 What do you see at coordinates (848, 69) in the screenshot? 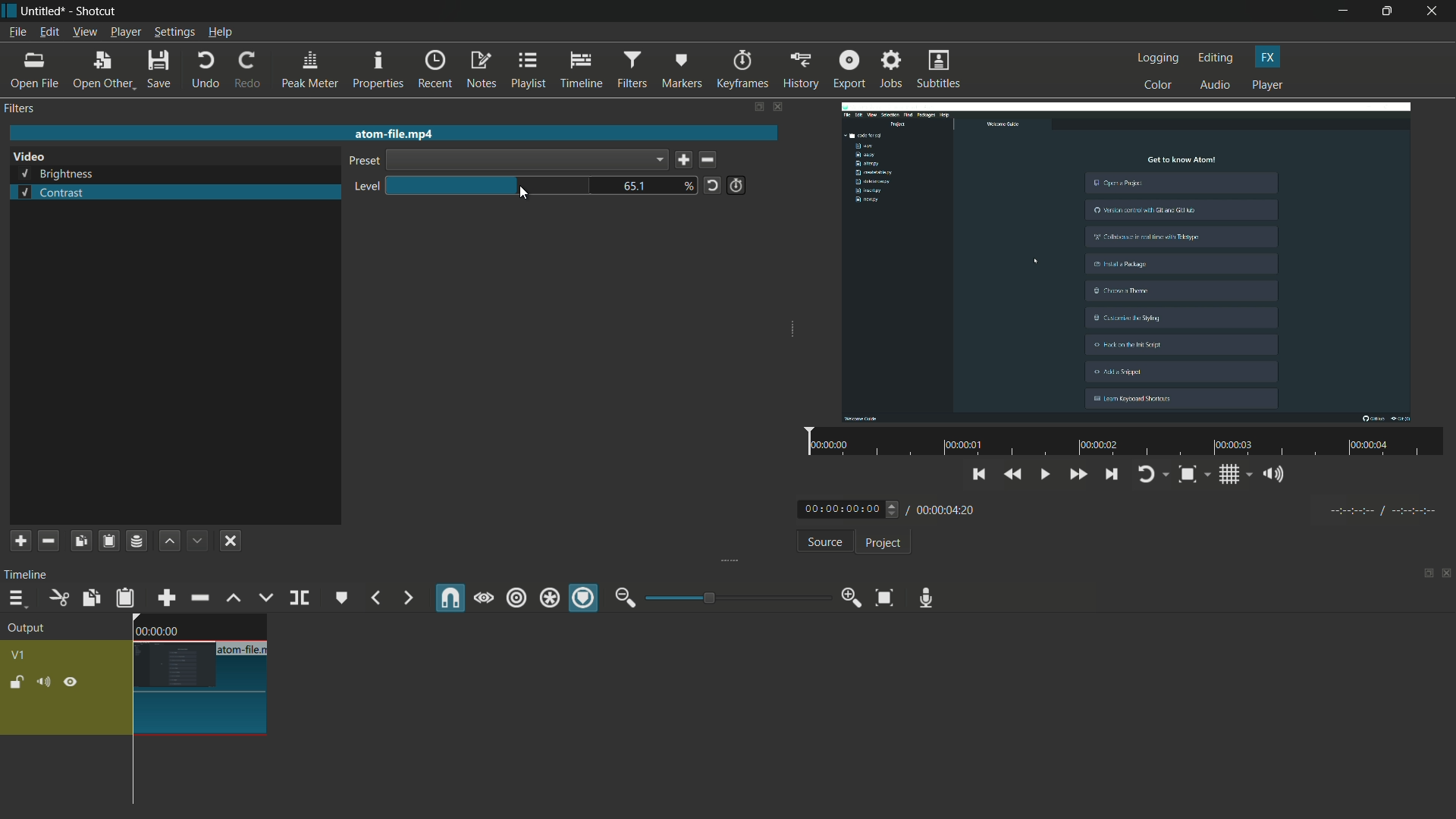
I see `export` at bounding box center [848, 69].